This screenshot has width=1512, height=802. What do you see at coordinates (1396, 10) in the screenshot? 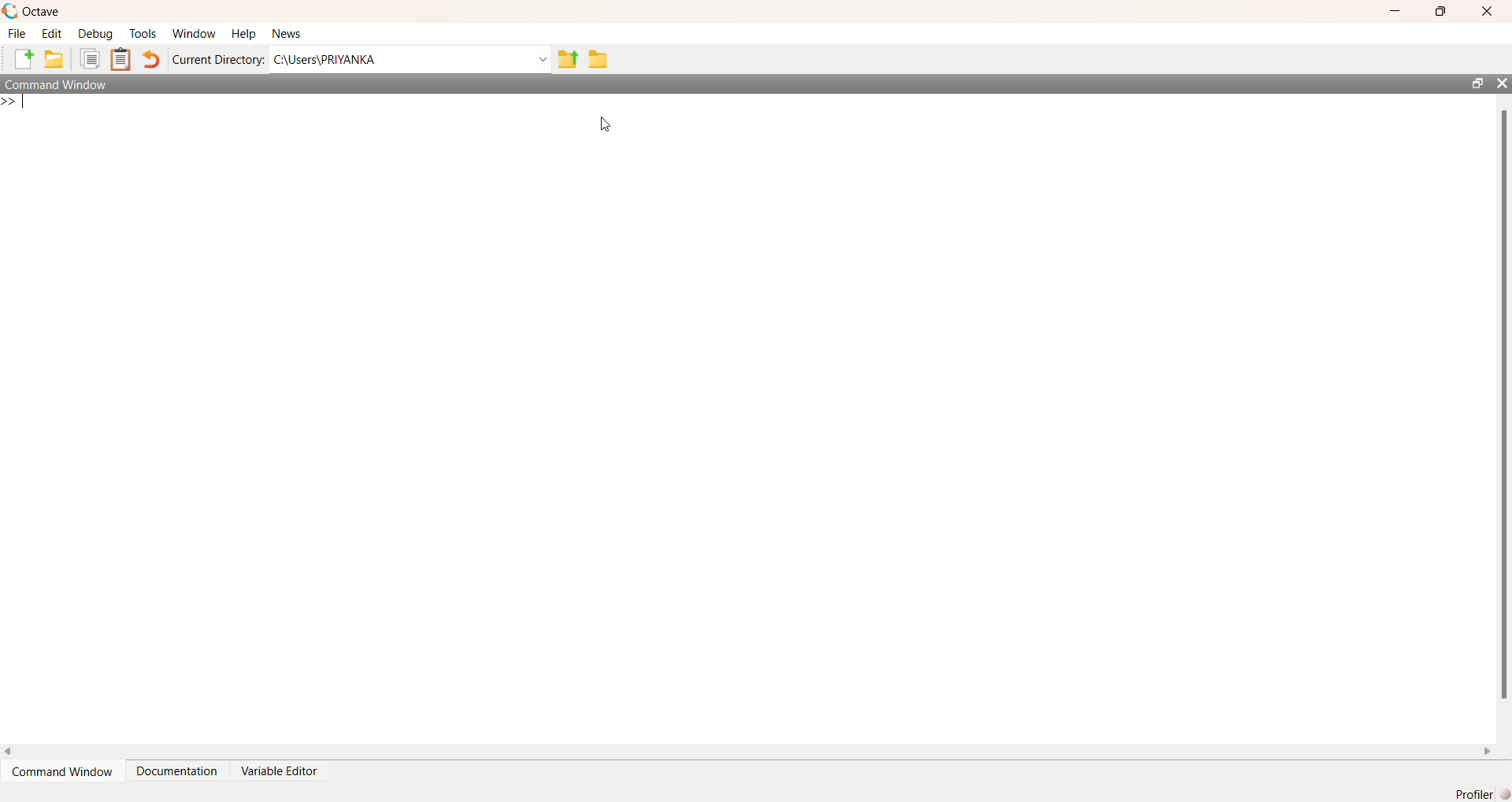
I see `minimize` at bounding box center [1396, 10].